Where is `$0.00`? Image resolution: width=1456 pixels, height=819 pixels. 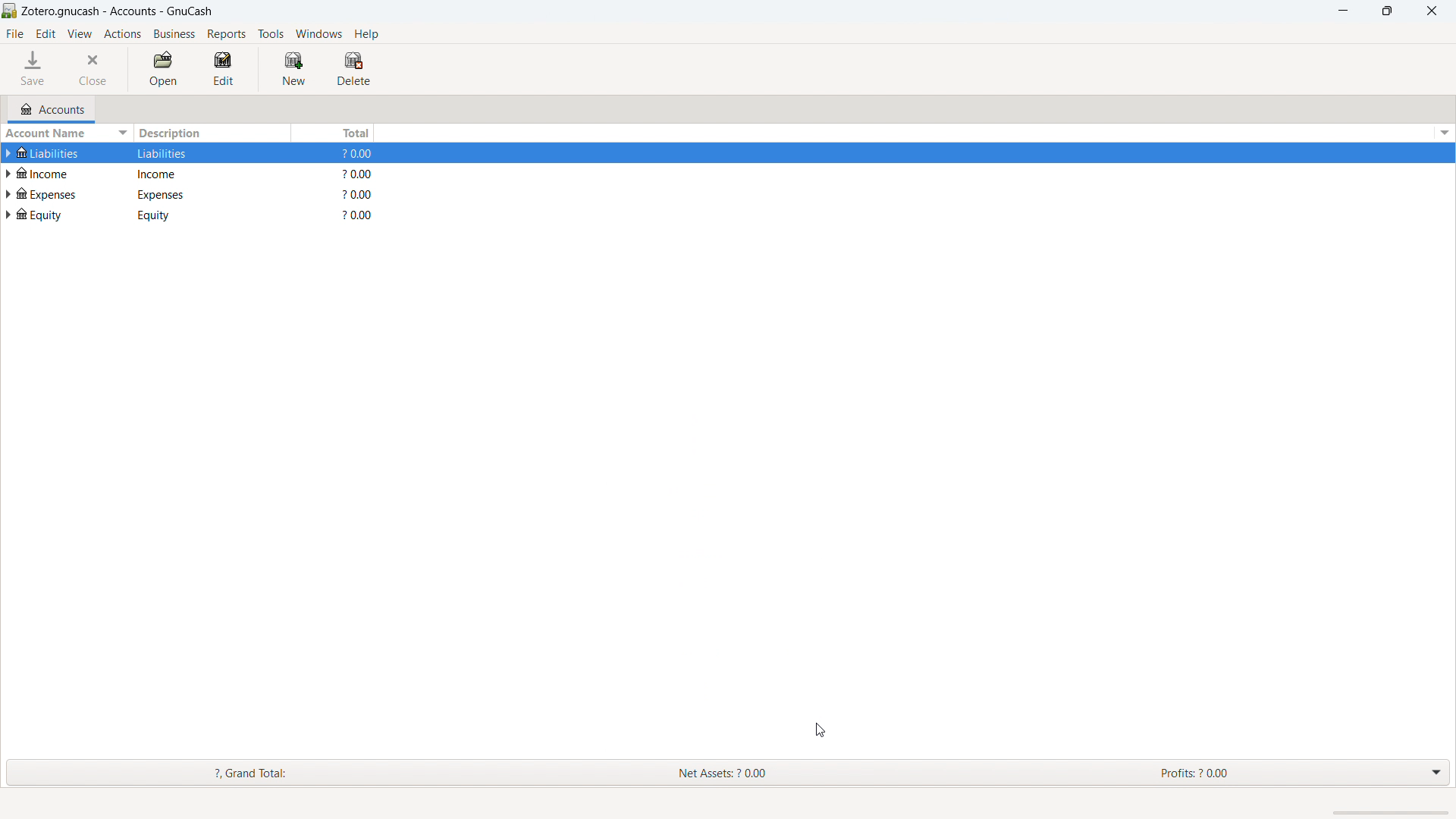
$0.00 is located at coordinates (359, 215).